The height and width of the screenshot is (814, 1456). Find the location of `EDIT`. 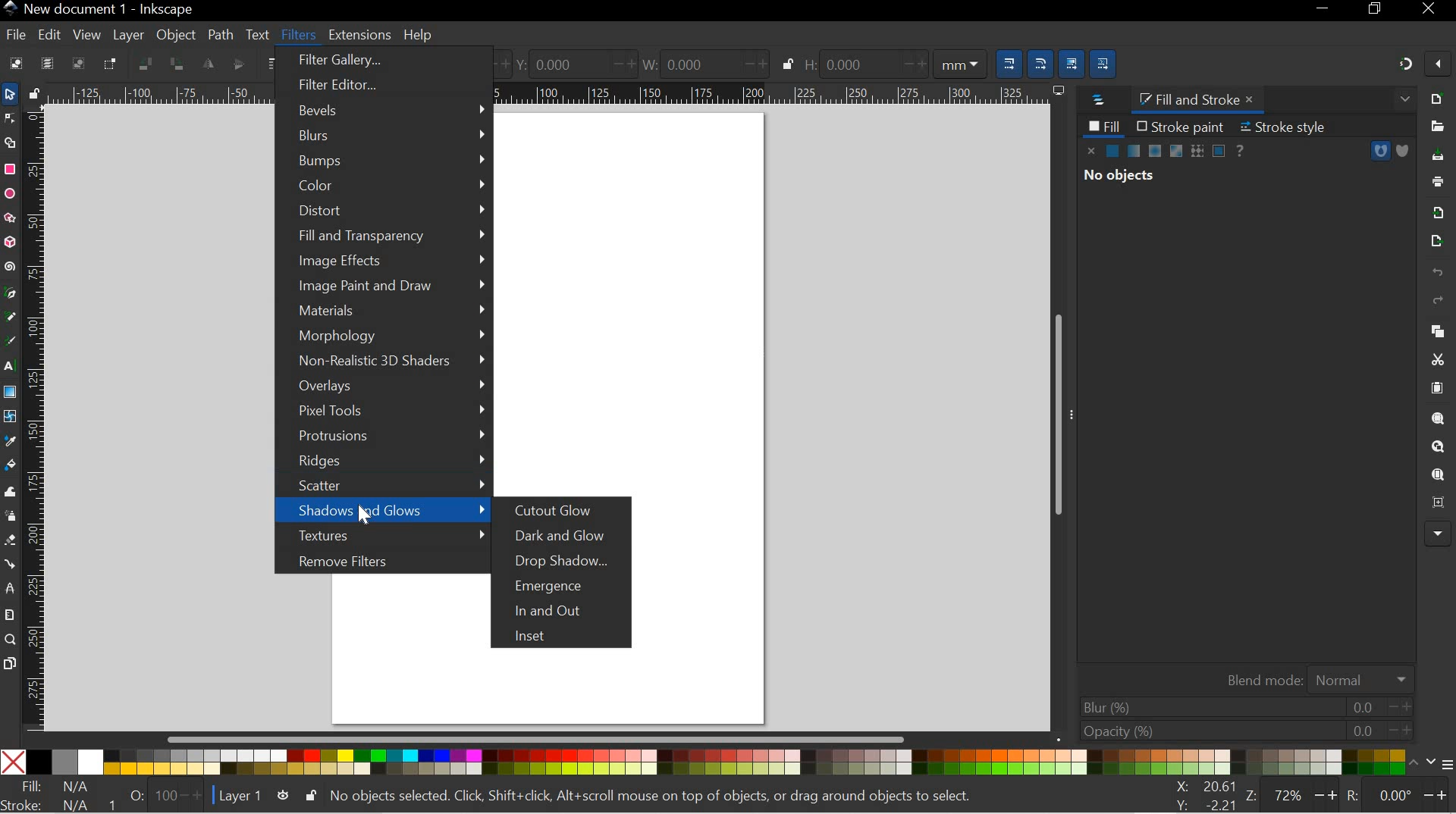

EDIT is located at coordinates (49, 34).